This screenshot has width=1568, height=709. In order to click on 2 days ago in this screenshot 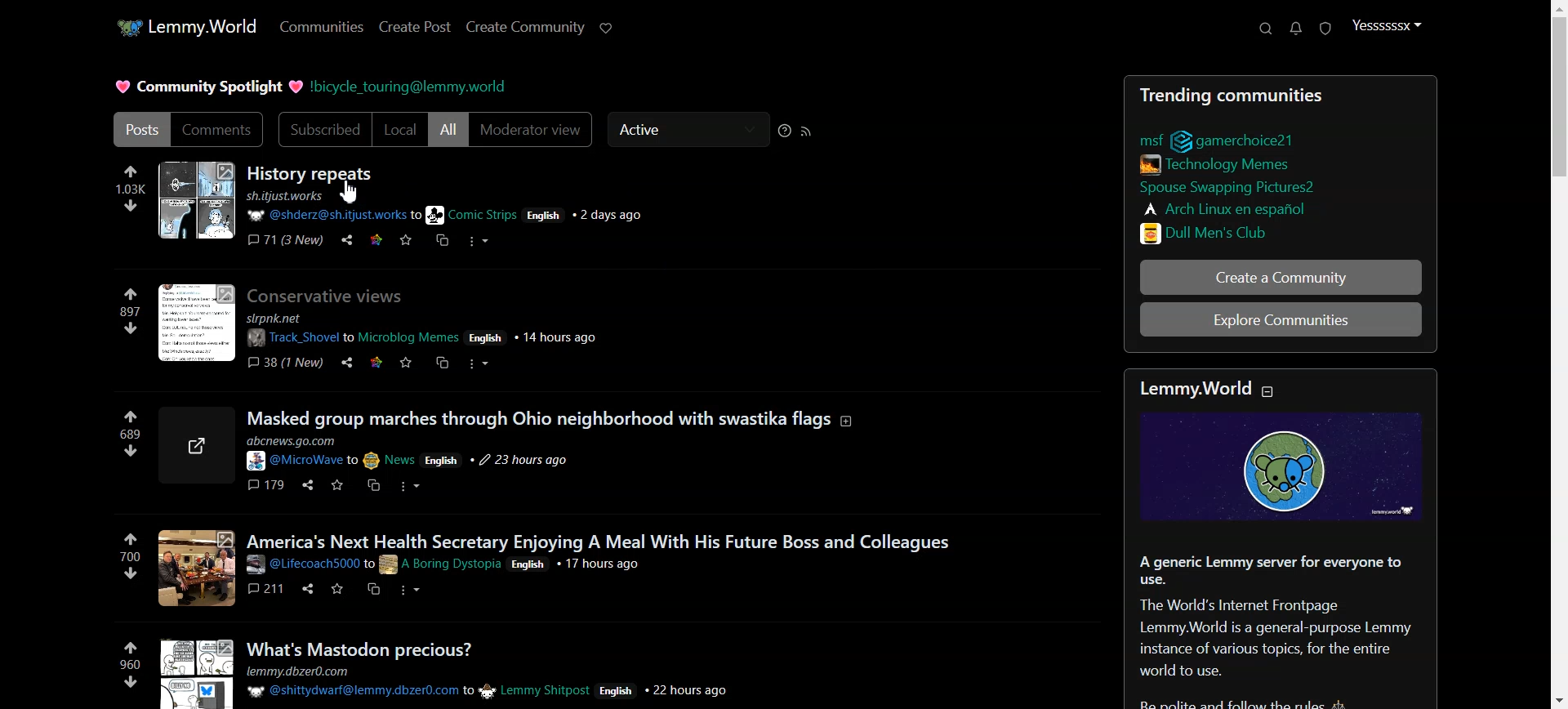, I will do `click(612, 216)`.